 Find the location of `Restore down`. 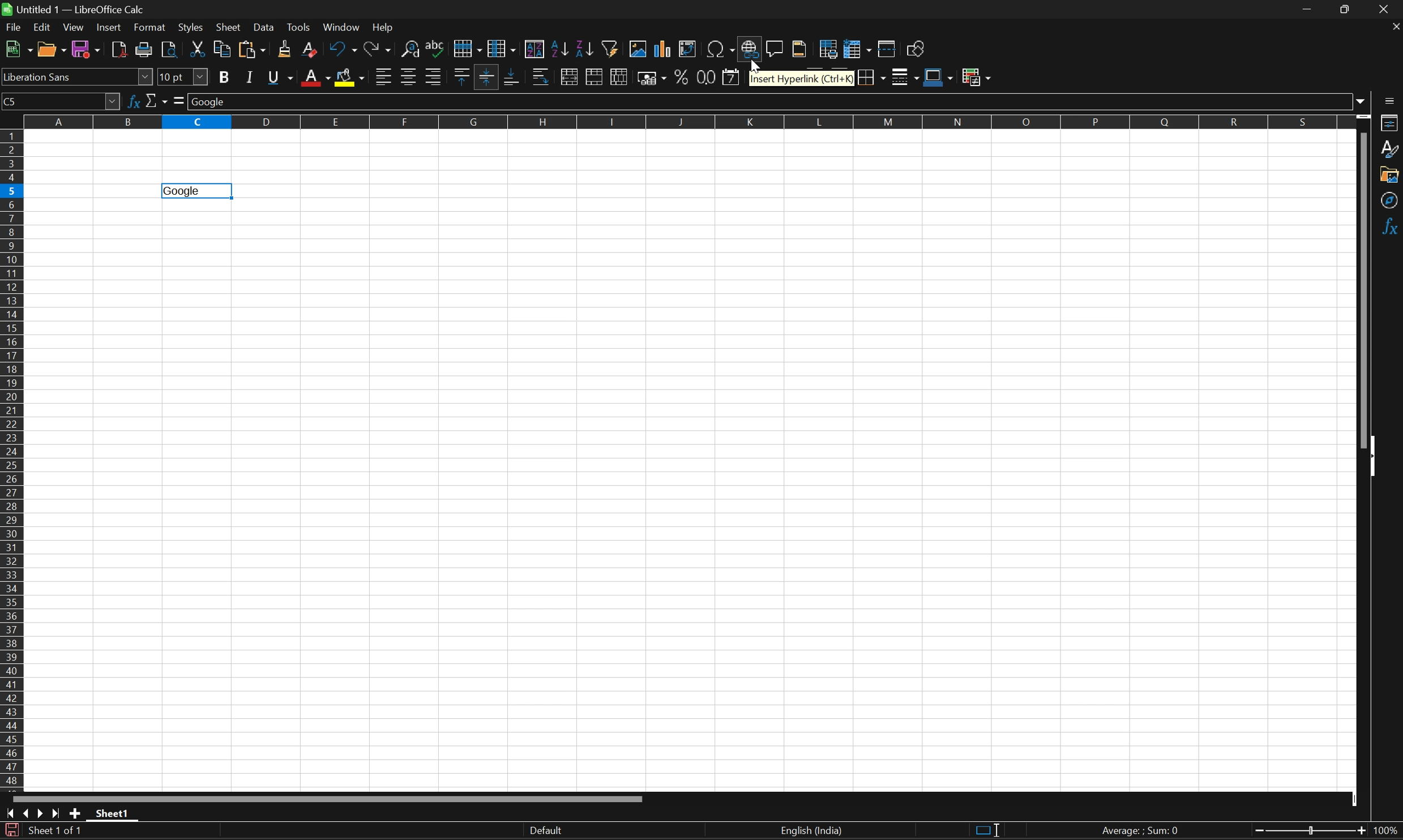

Restore down is located at coordinates (1345, 11).